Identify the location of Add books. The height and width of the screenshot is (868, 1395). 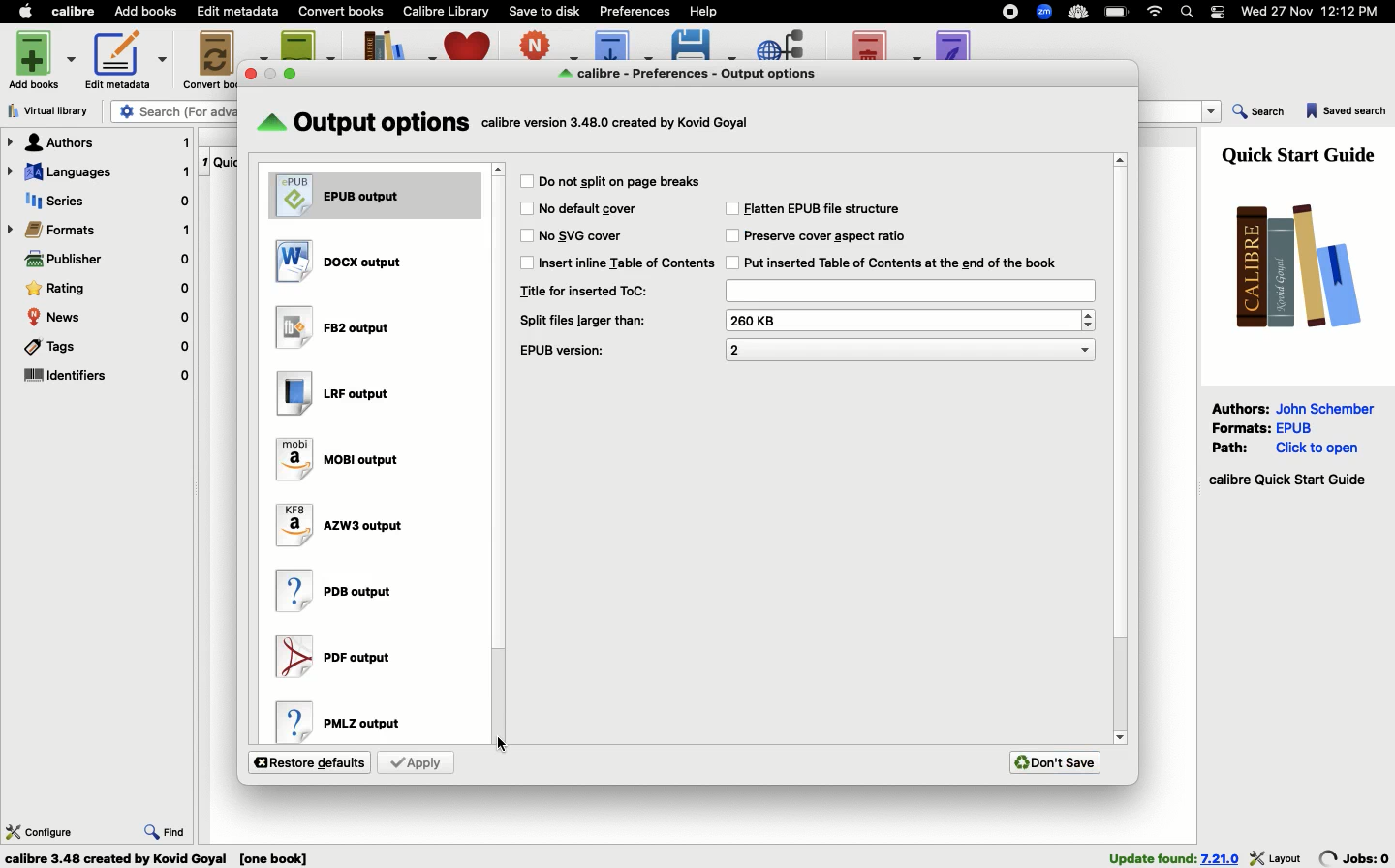
(45, 58).